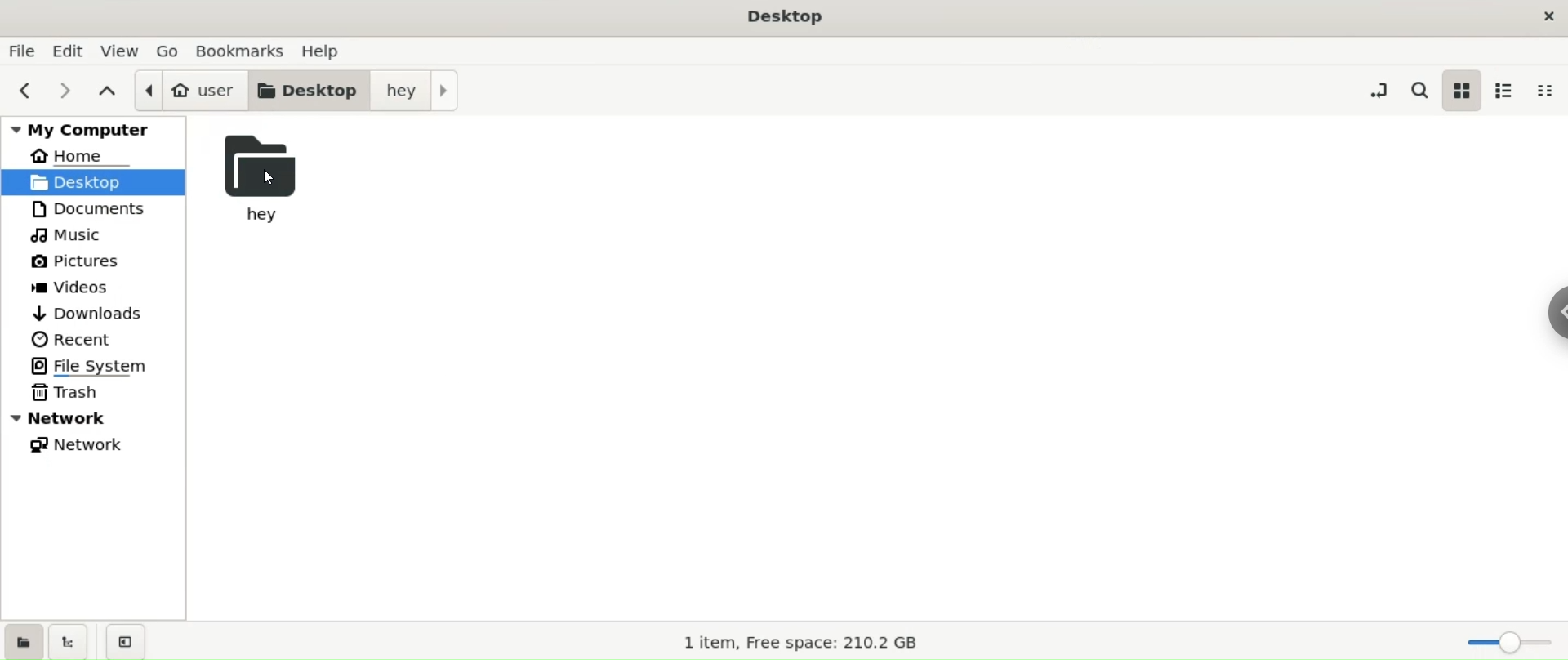 Image resolution: width=1568 pixels, height=660 pixels. I want to click on hey, so click(417, 89).